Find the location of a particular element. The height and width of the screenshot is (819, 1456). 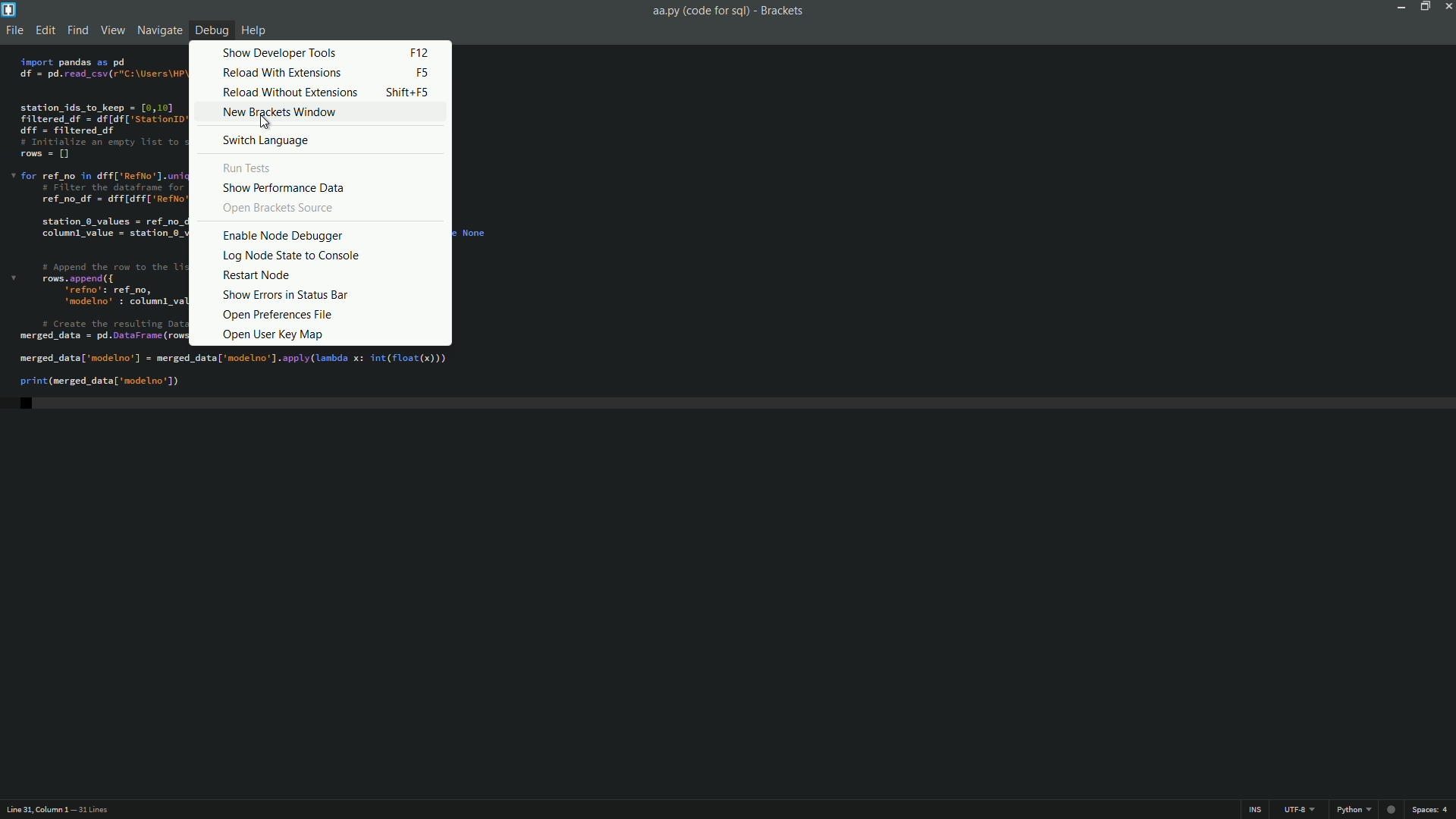

Debug menu is located at coordinates (209, 32).